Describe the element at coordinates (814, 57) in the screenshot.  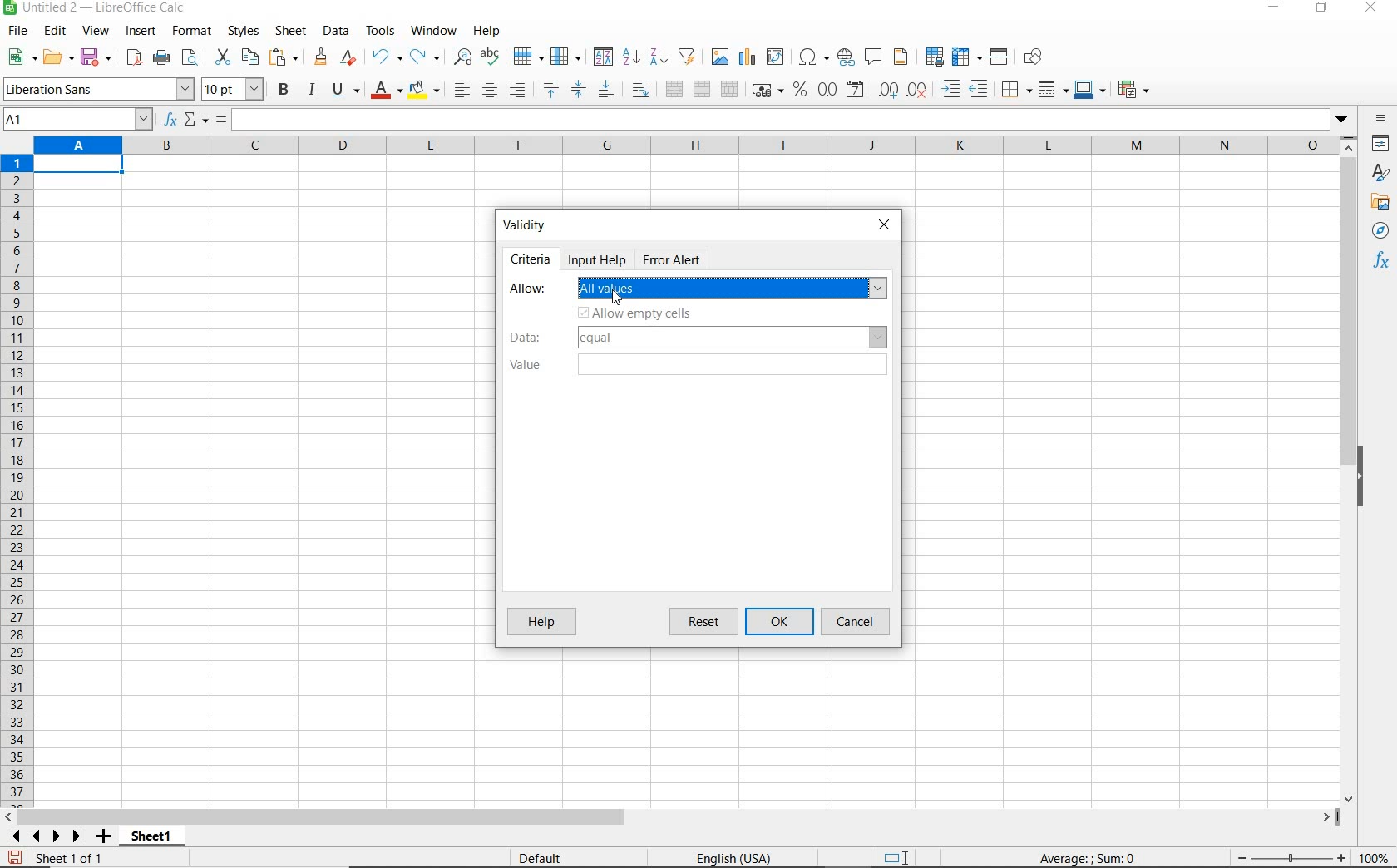
I see `insert special characters` at that location.